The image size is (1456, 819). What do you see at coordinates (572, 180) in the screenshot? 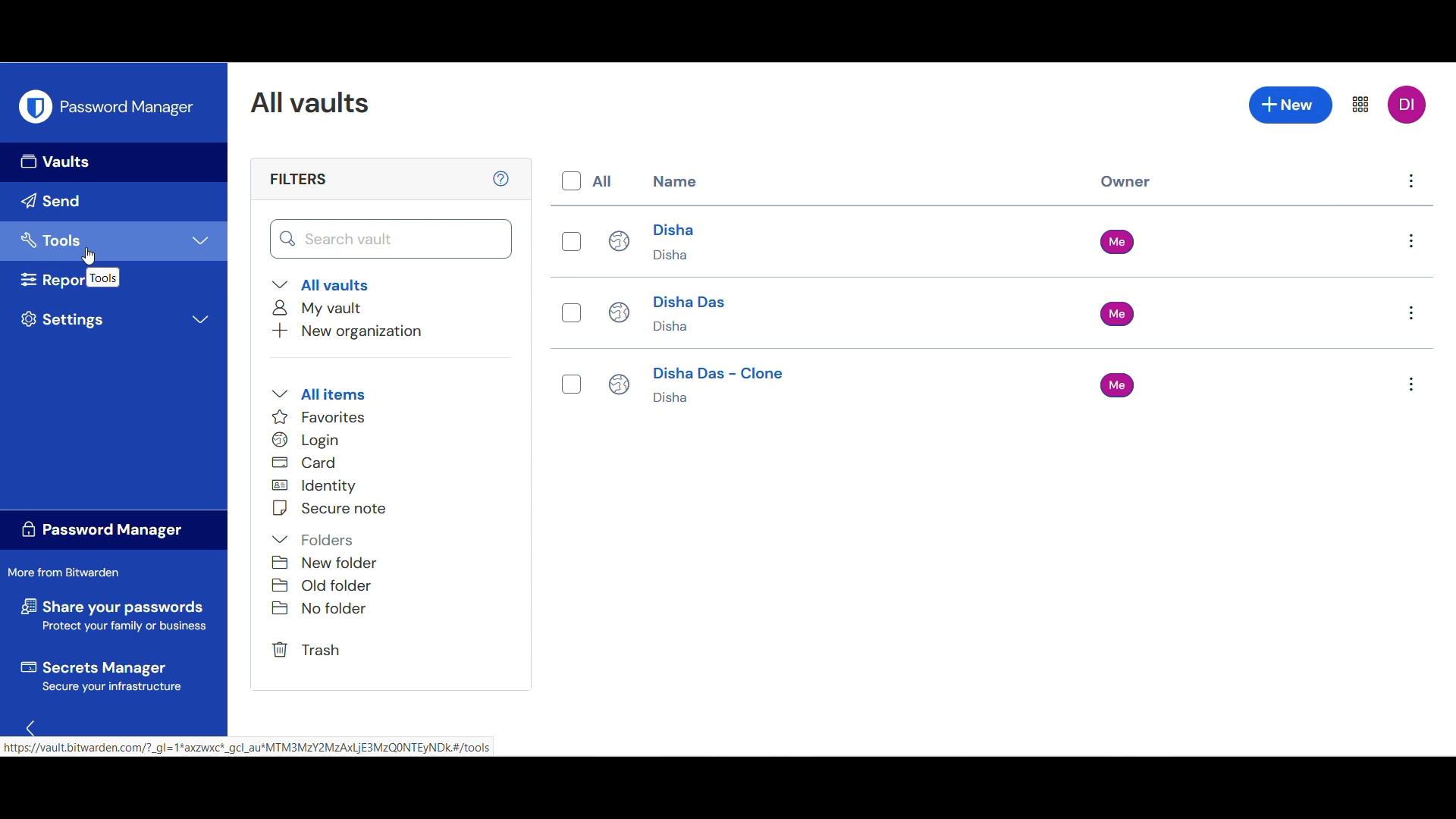
I see `Toggle on/off for All` at bounding box center [572, 180].